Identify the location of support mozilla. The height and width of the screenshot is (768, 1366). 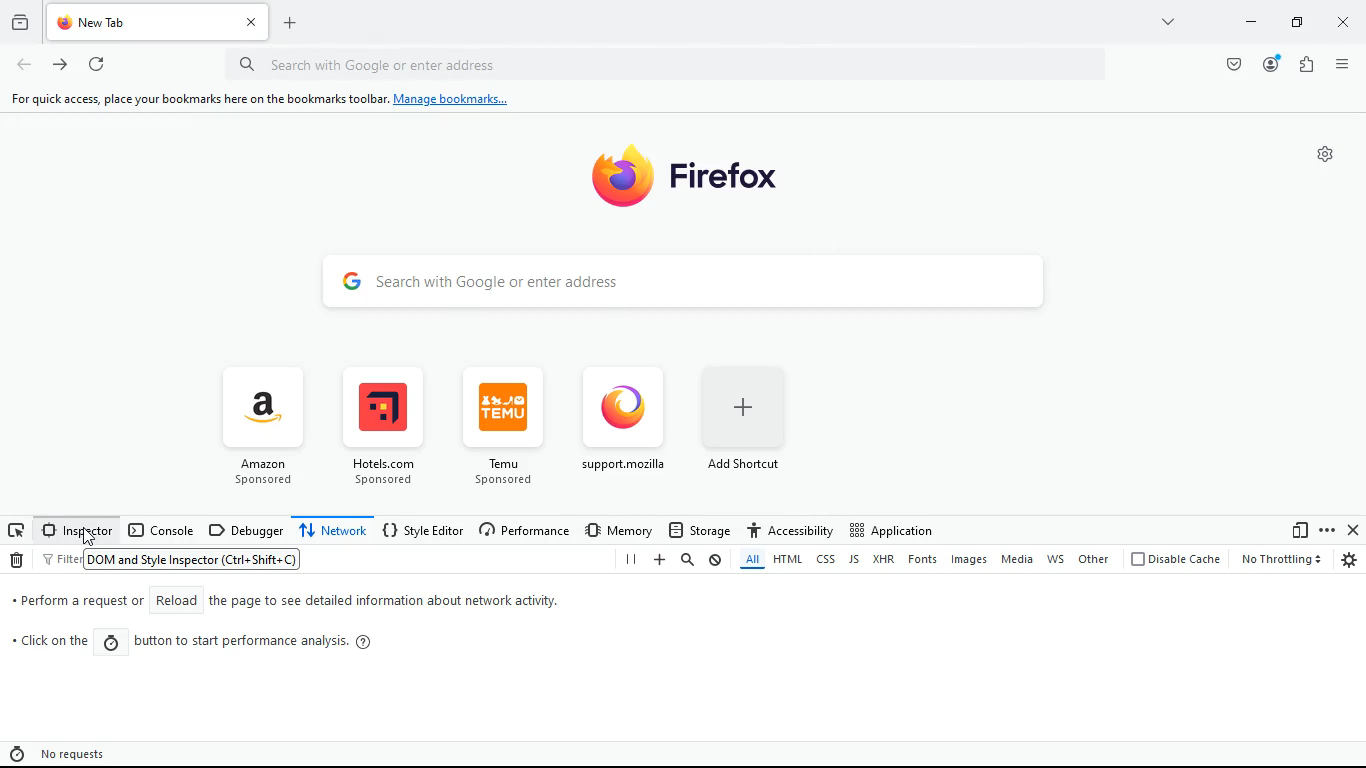
(628, 431).